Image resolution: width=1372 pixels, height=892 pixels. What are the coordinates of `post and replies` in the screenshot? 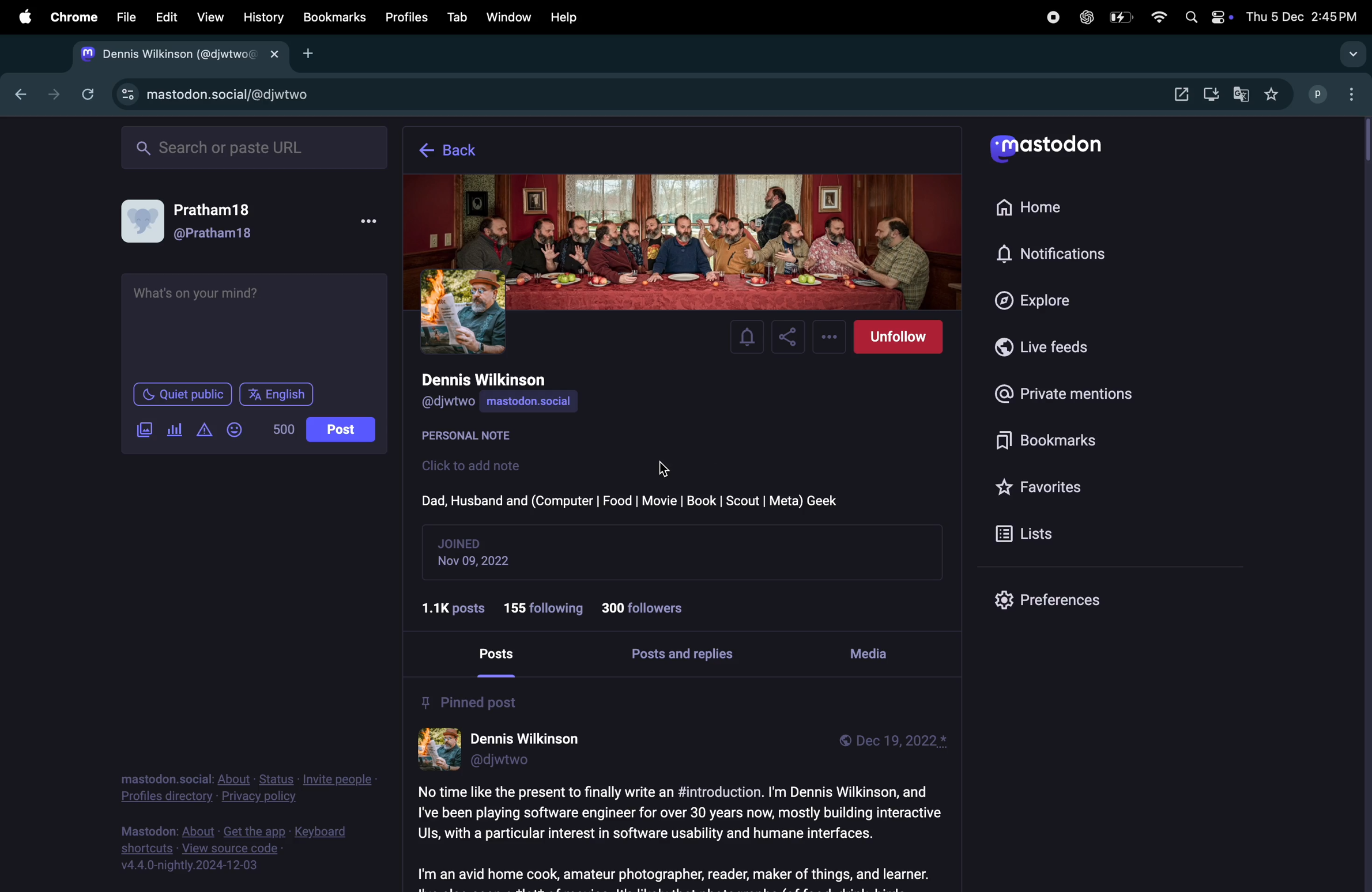 It's located at (689, 656).